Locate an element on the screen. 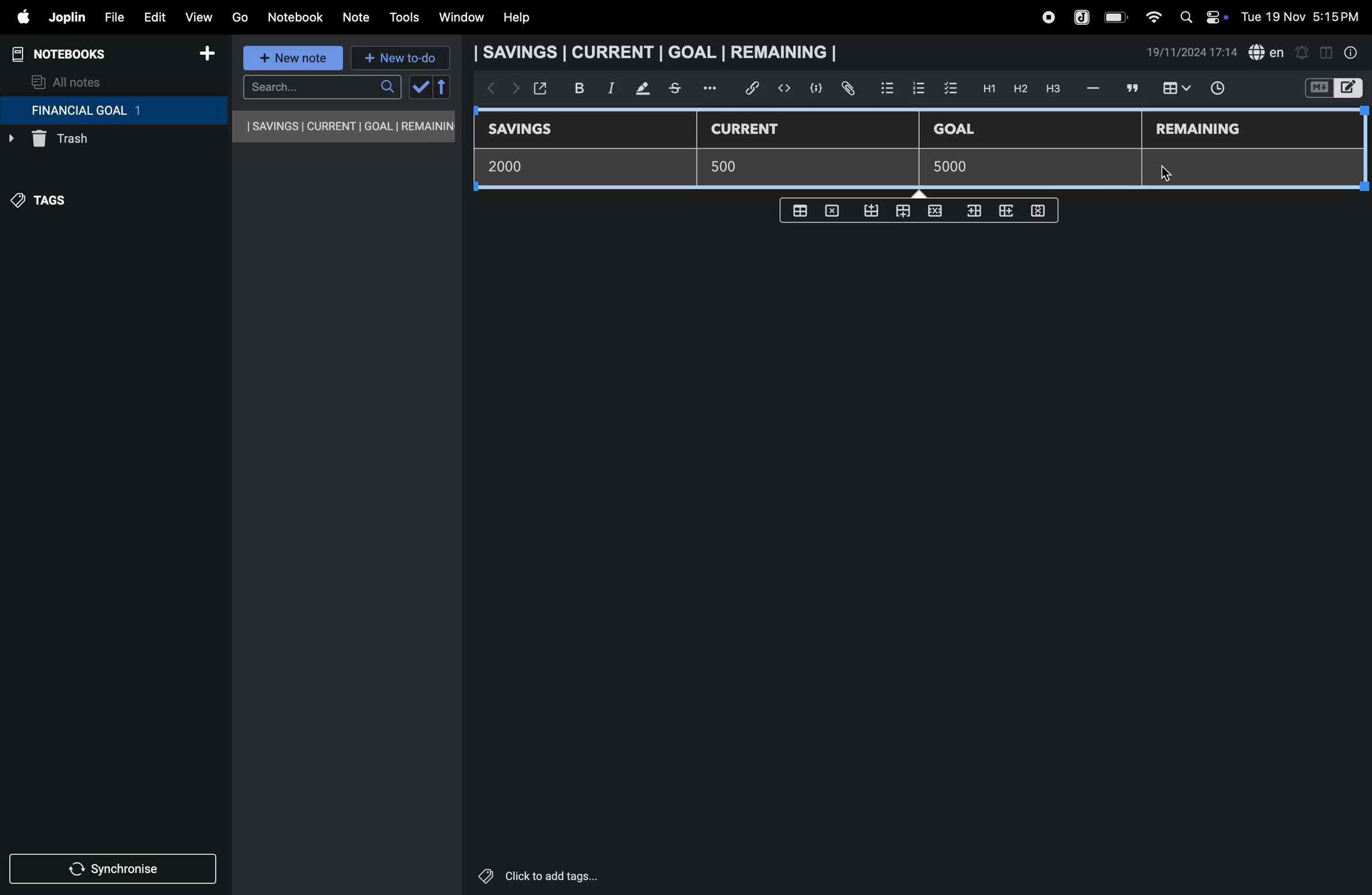  savings is located at coordinates (529, 130).